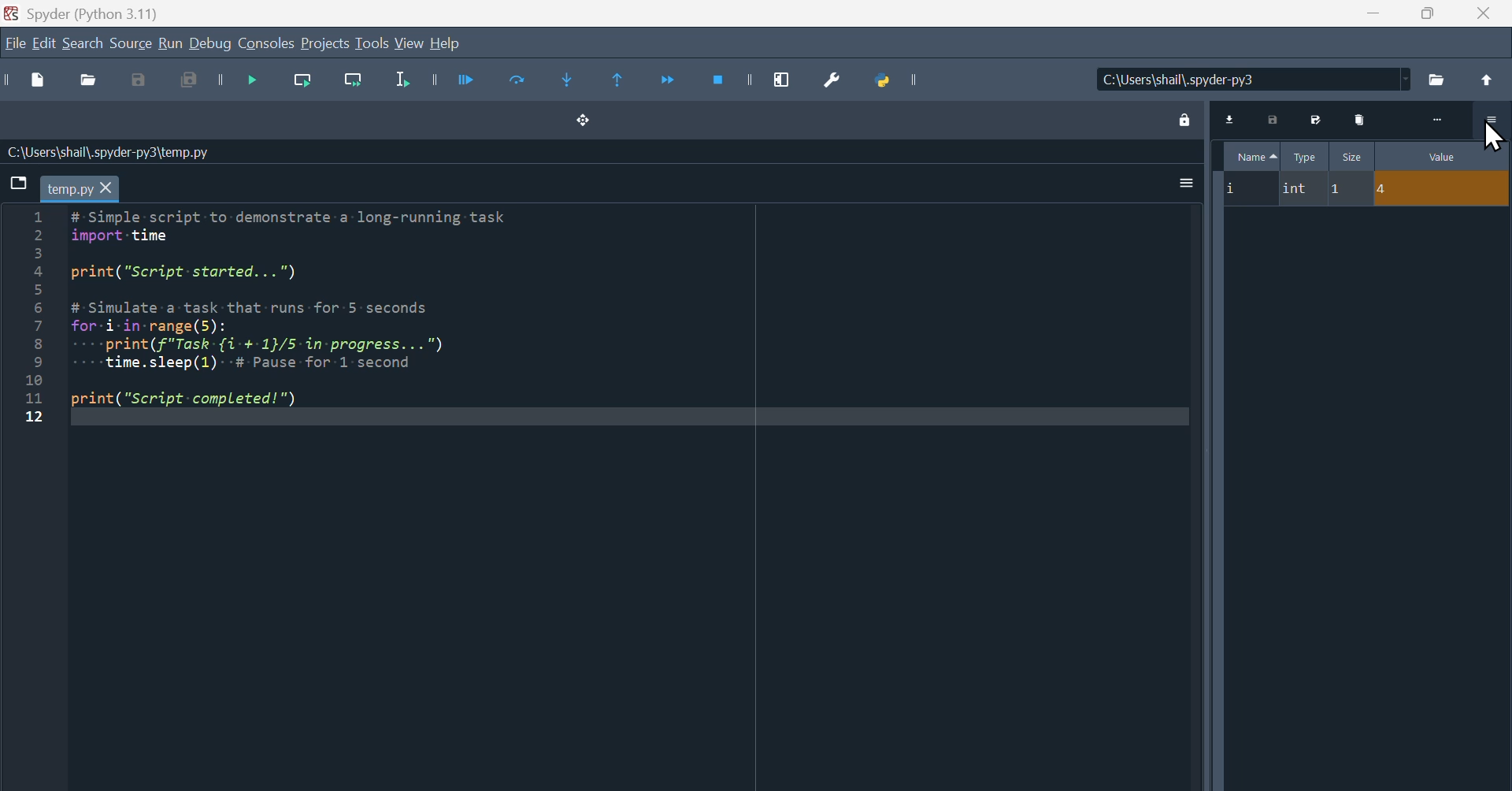  What do you see at coordinates (253, 80) in the screenshot?
I see `Debug file` at bounding box center [253, 80].